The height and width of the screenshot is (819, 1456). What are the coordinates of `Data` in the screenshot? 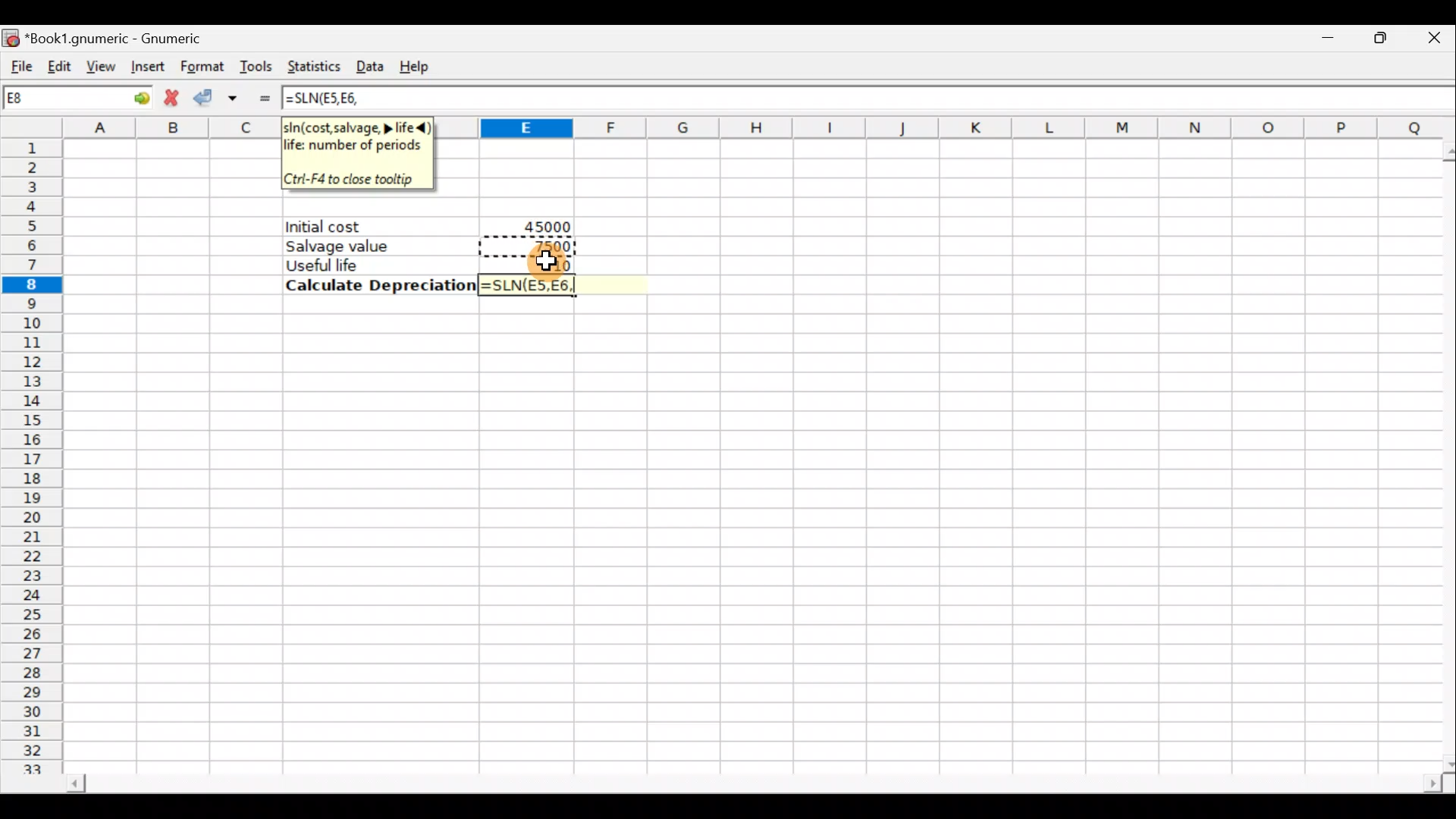 It's located at (372, 64).